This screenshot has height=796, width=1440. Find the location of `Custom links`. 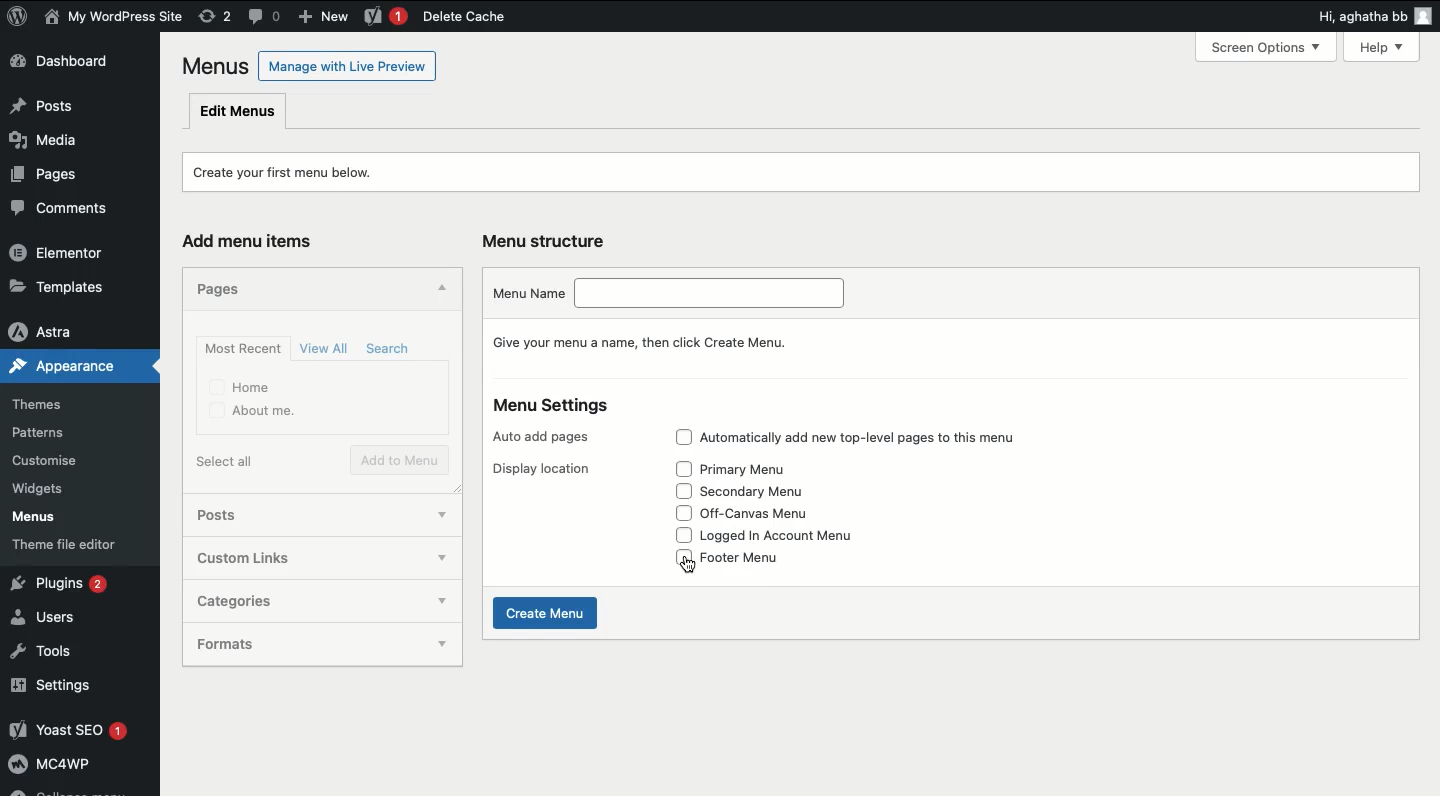

Custom links is located at coordinates (273, 556).